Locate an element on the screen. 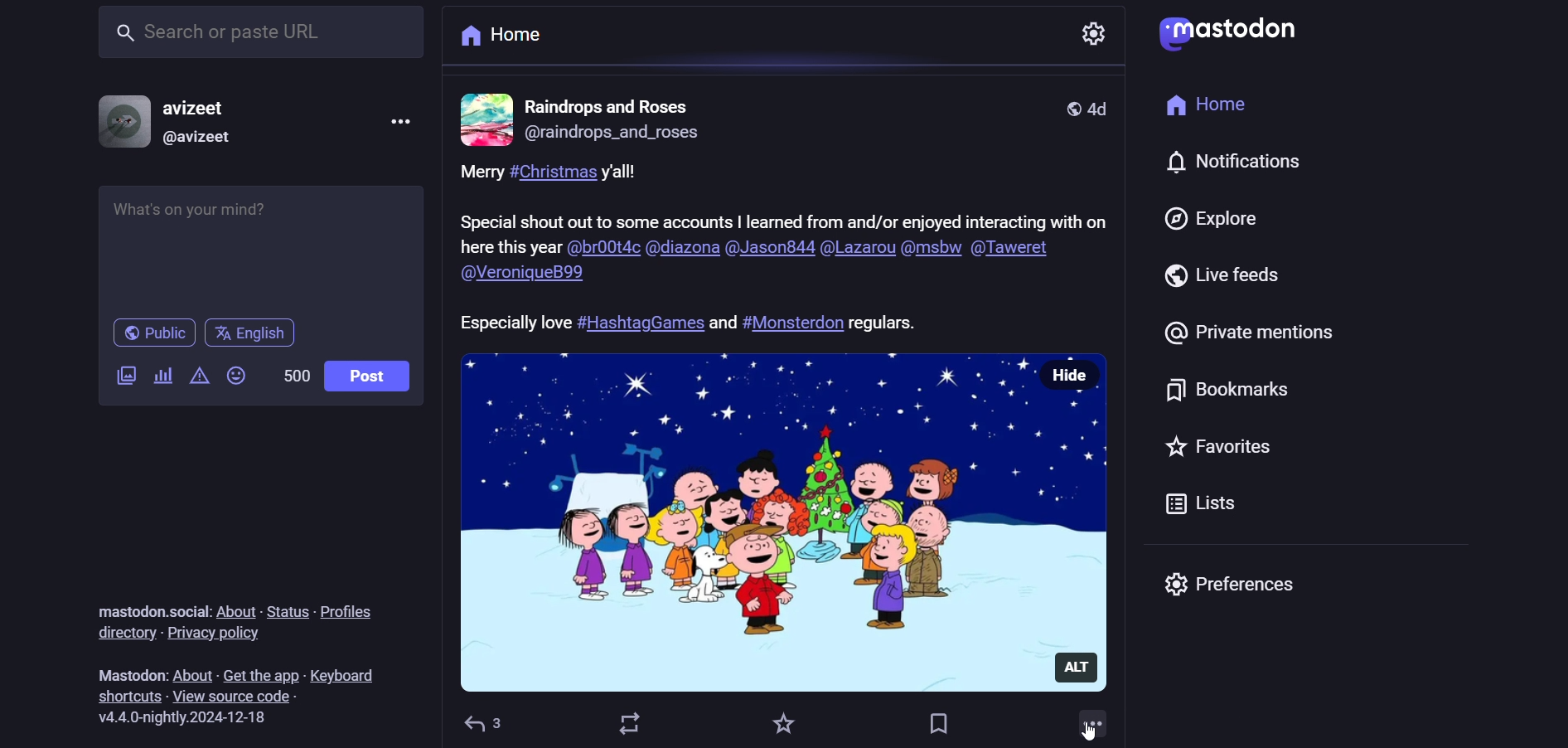 This screenshot has width=1568, height=748. status is located at coordinates (287, 607).